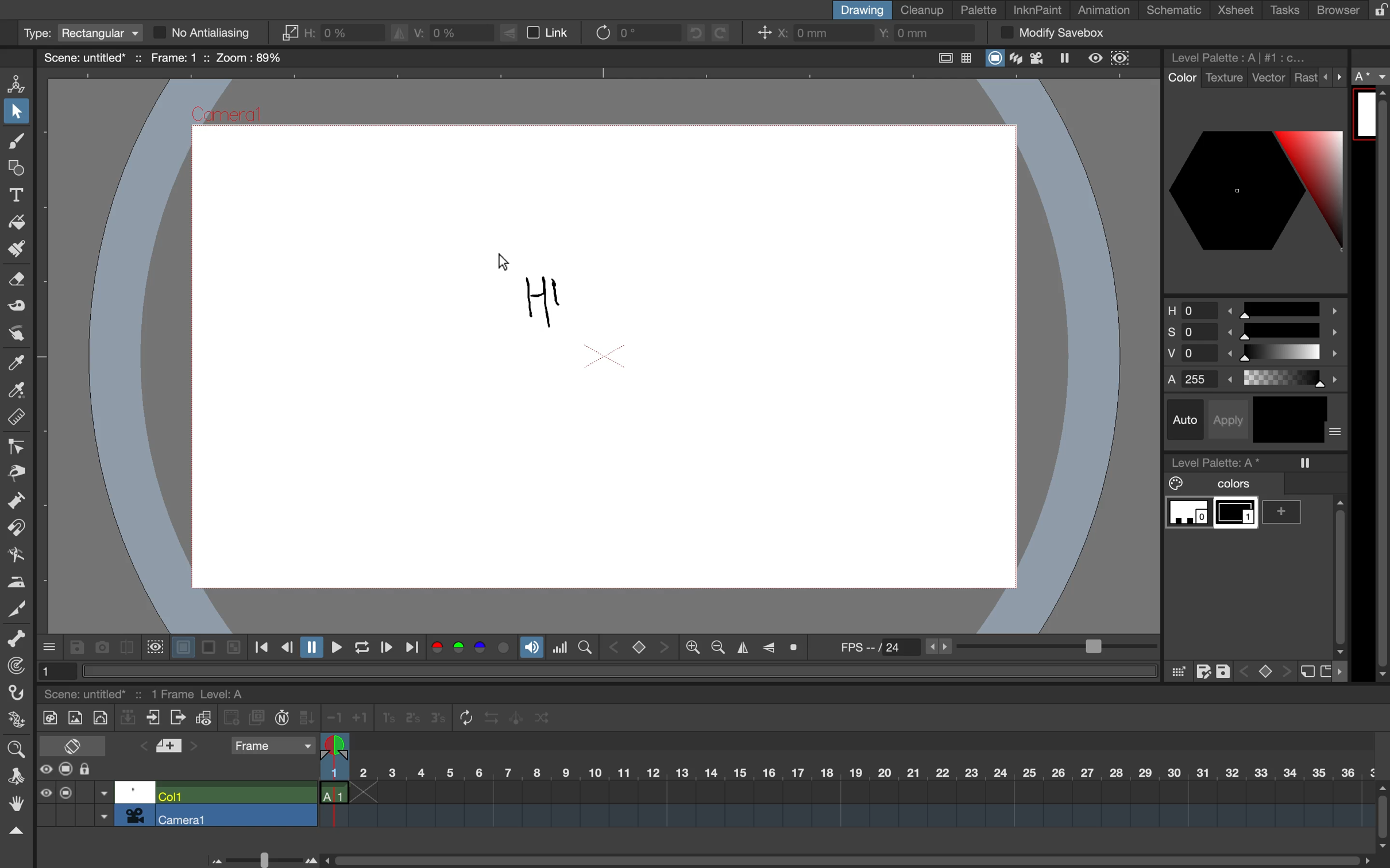 The height and width of the screenshot is (868, 1390). I want to click on rgb picker tool, so click(14, 391).